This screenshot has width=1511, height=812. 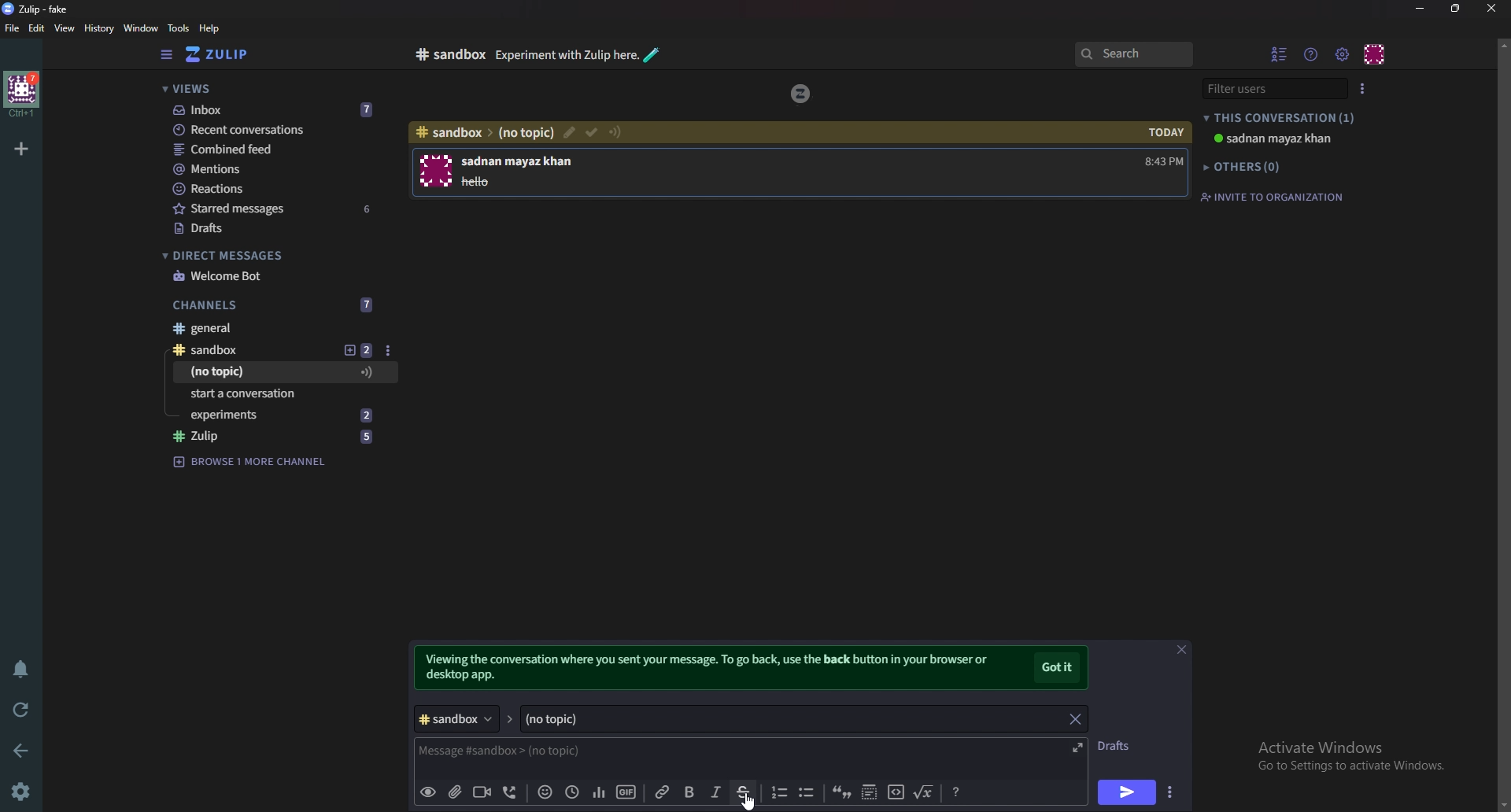 I want to click on close topic, so click(x=1073, y=718).